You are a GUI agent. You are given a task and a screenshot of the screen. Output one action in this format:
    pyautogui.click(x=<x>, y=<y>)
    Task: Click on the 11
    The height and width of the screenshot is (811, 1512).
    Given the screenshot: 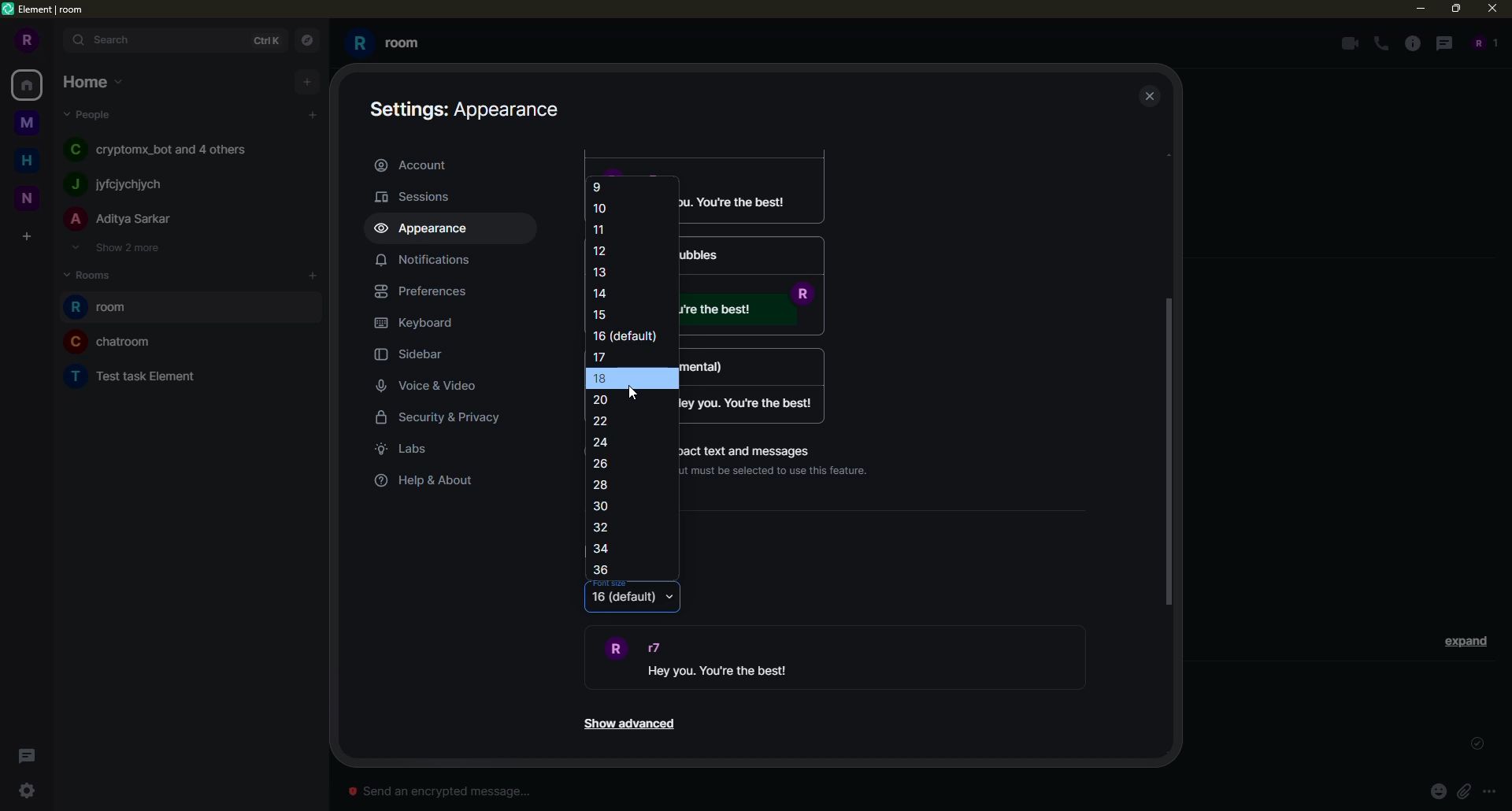 What is the action you would take?
    pyautogui.click(x=601, y=229)
    